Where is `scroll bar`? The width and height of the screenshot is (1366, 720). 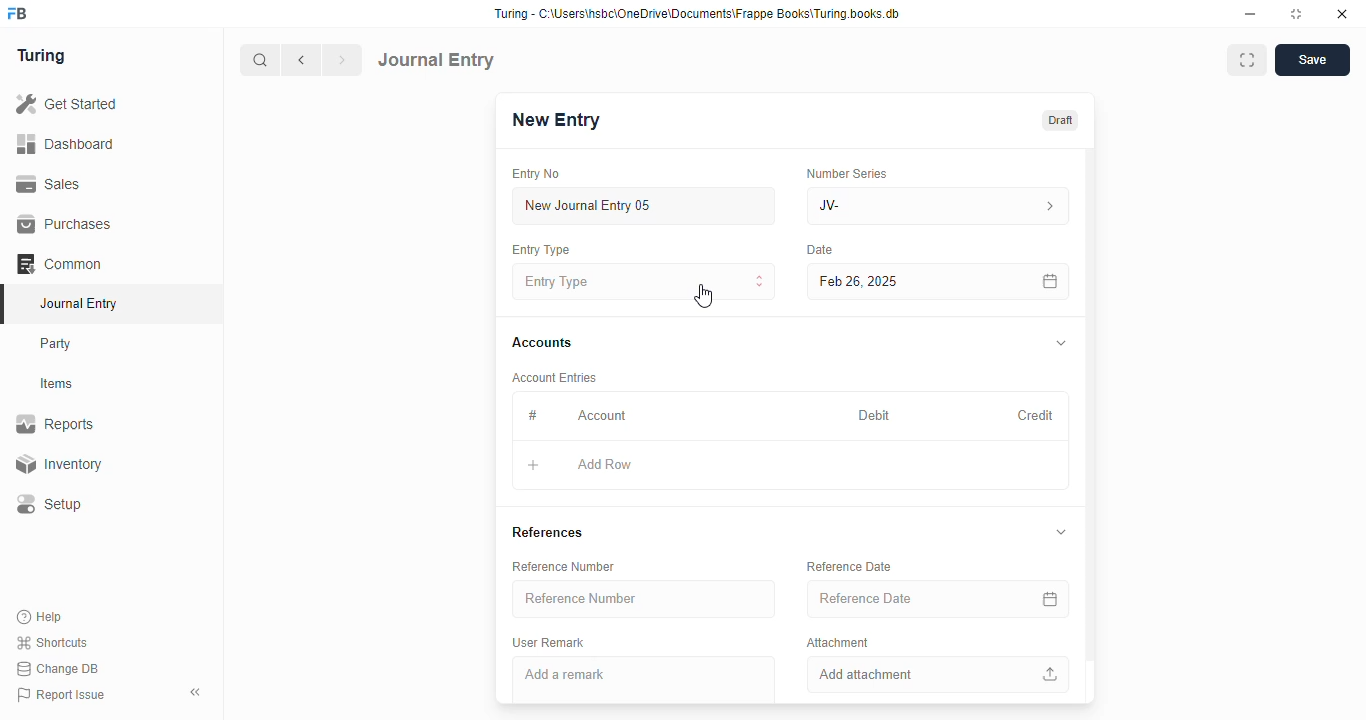
scroll bar is located at coordinates (1091, 424).